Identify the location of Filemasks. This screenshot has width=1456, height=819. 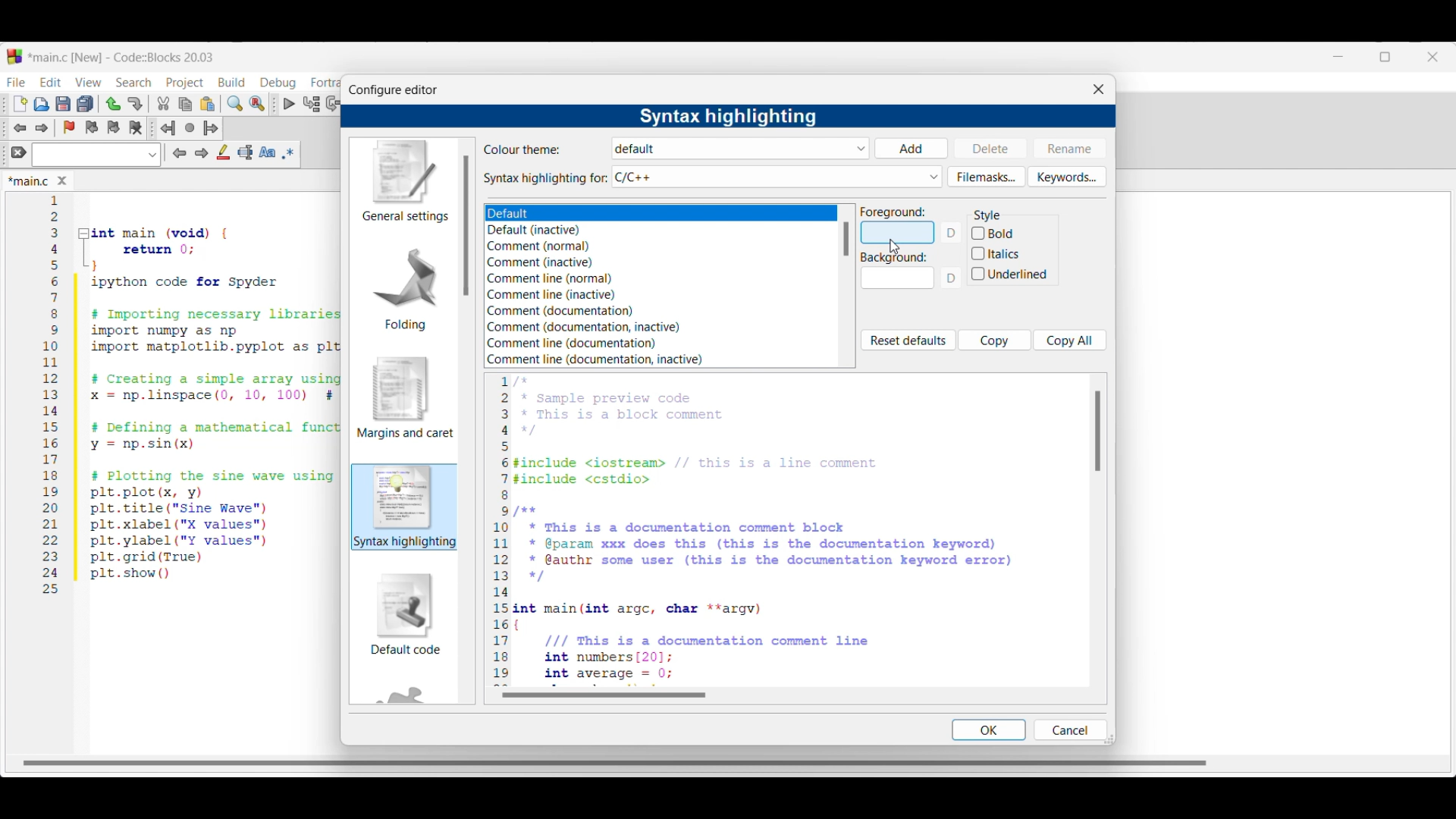
(987, 177).